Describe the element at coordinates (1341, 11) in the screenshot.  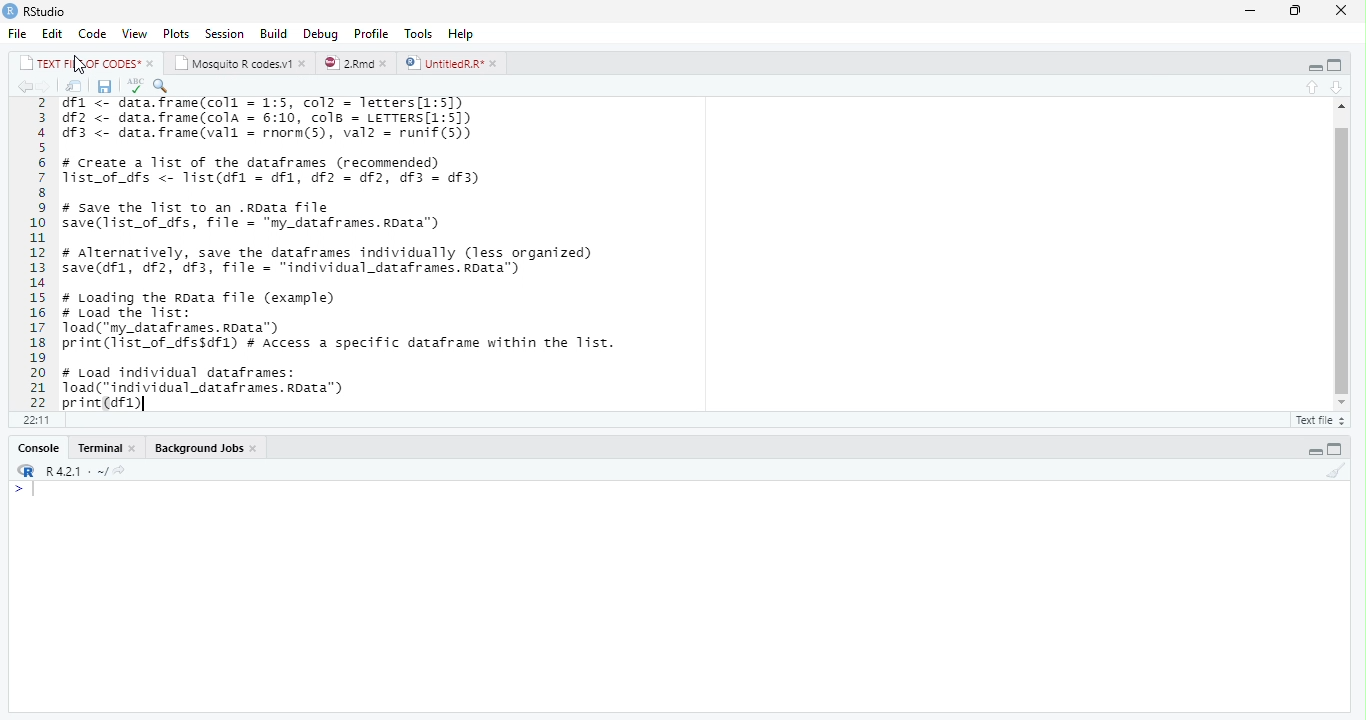
I see `Close` at that location.